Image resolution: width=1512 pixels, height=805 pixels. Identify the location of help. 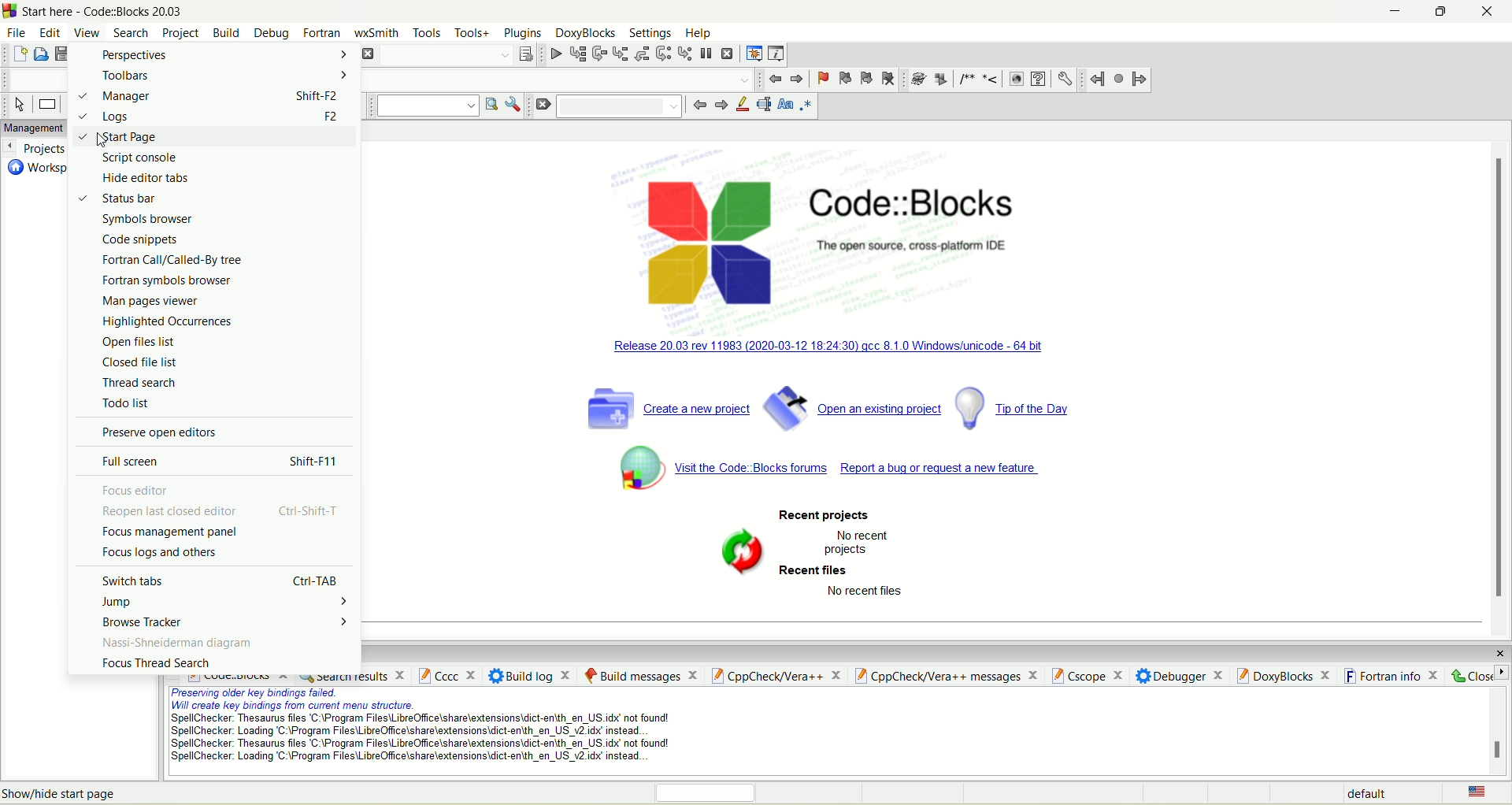
(698, 34).